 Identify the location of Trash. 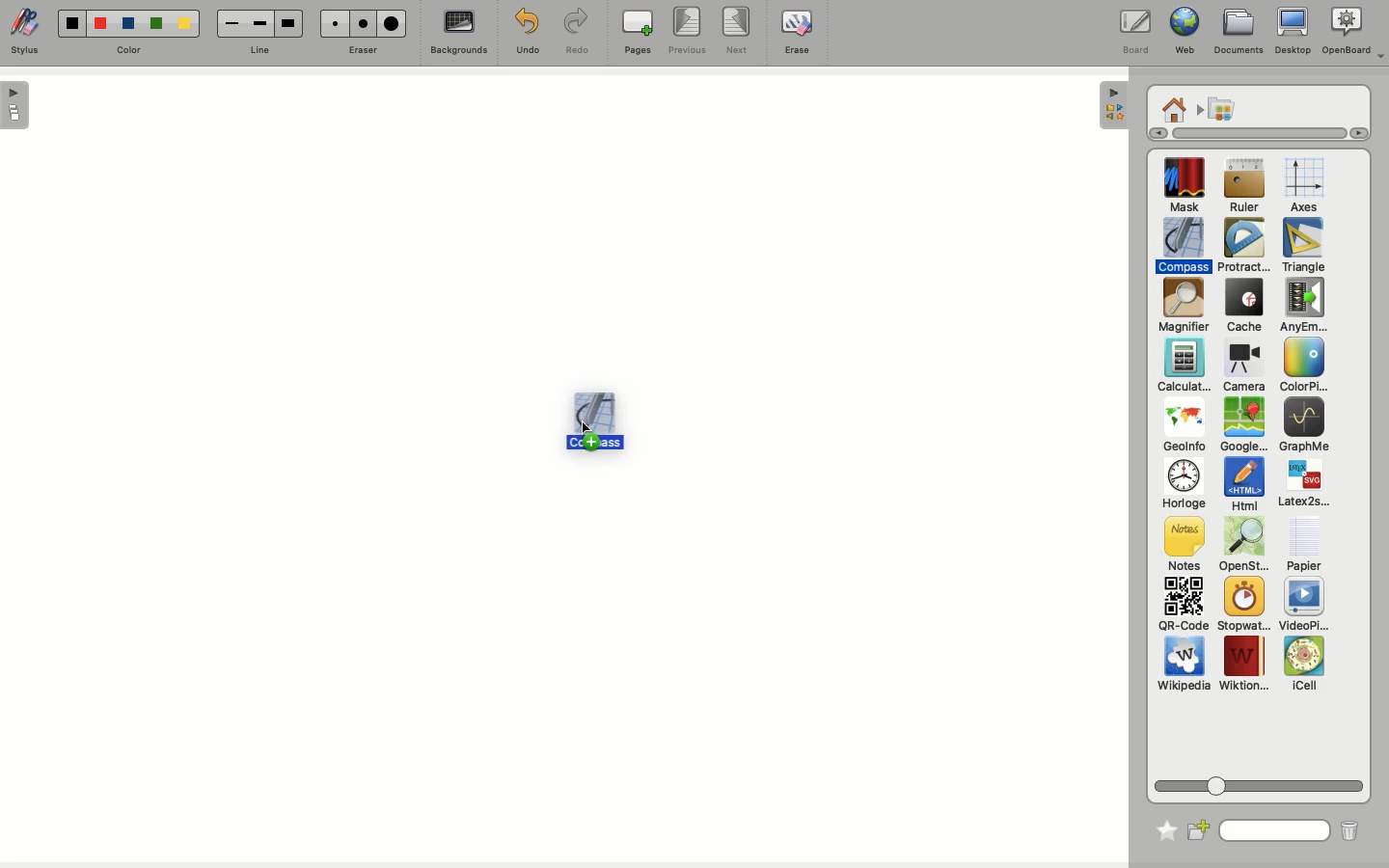
(1348, 830).